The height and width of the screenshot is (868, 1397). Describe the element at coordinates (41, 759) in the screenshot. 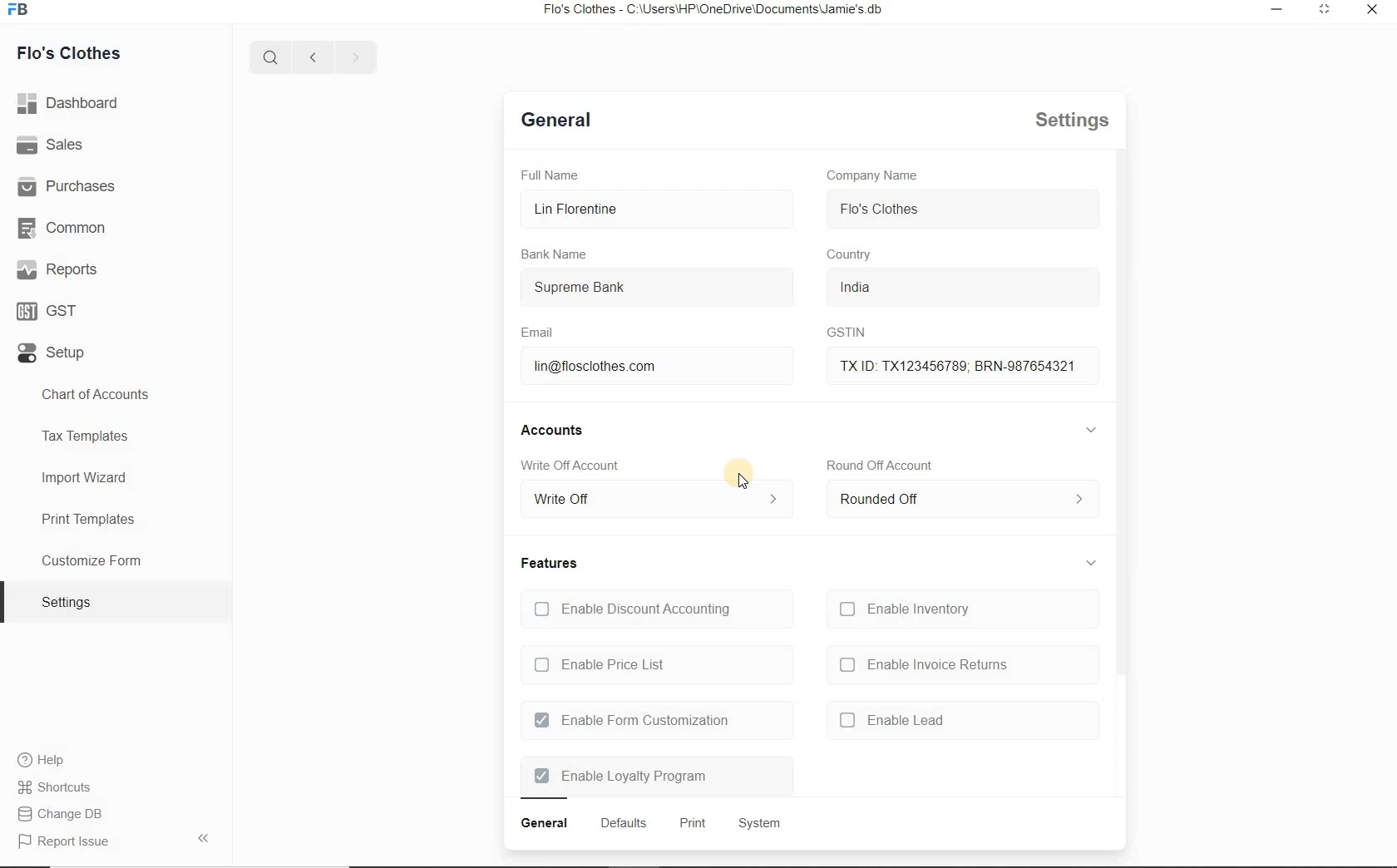

I see `Help` at that location.